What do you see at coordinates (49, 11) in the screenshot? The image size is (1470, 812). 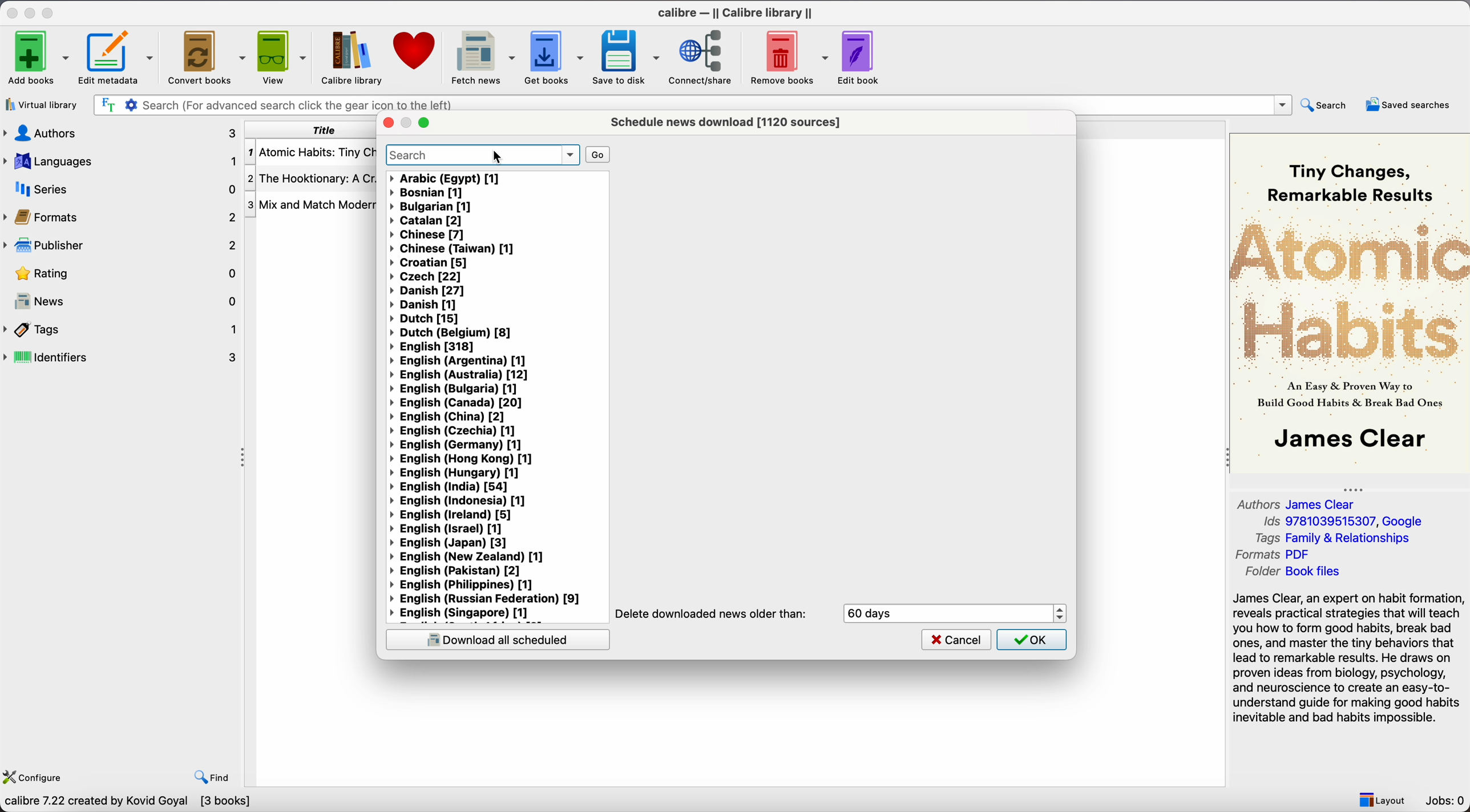 I see `maximize` at bounding box center [49, 11].